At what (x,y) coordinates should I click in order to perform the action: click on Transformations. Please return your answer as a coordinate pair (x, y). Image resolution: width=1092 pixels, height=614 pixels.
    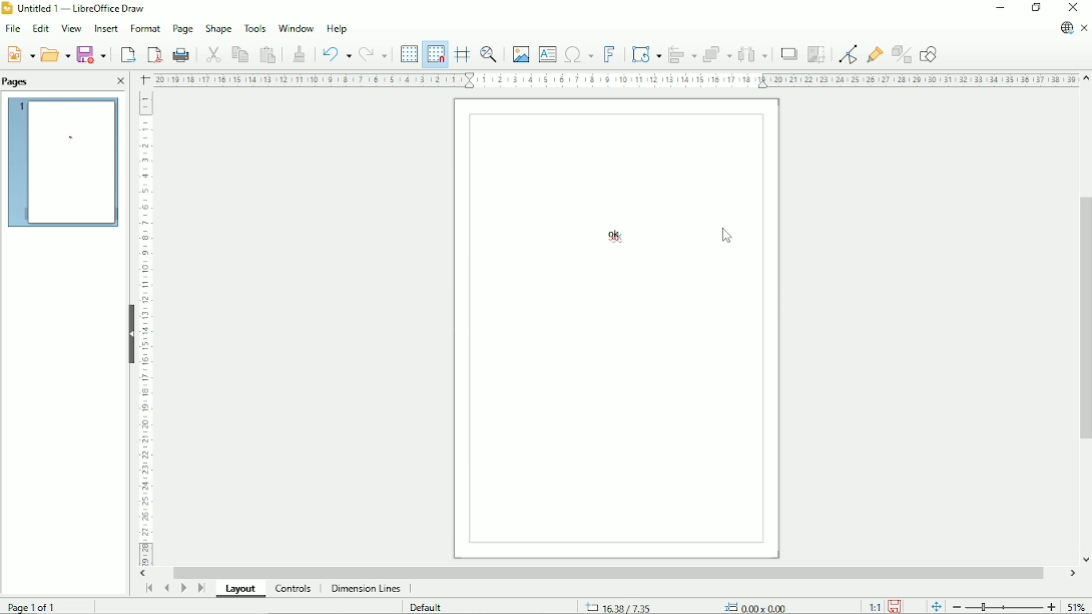
    Looking at the image, I should click on (646, 55).